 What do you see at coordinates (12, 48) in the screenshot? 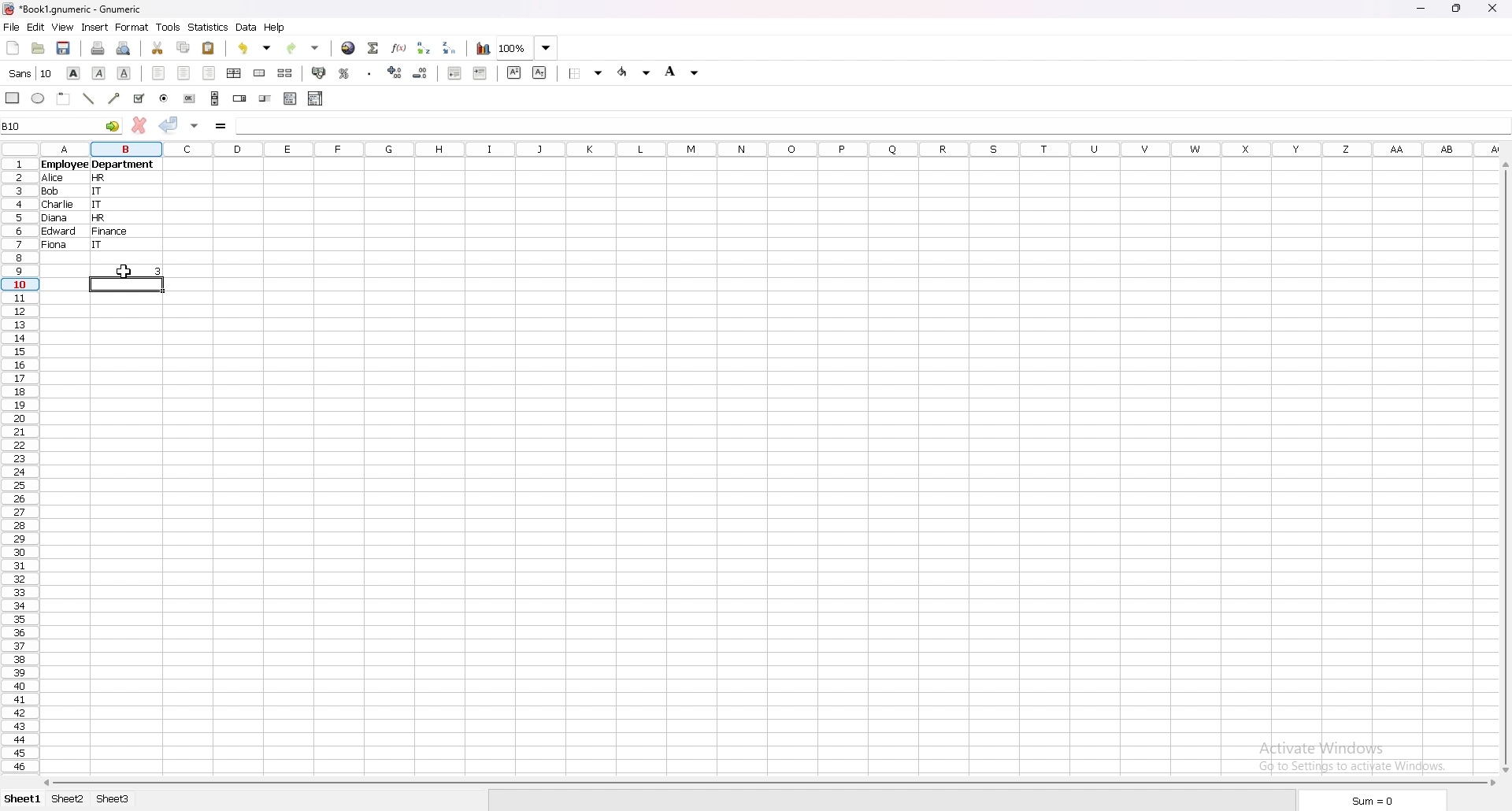
I see `new` at bounding box center [12, 48].